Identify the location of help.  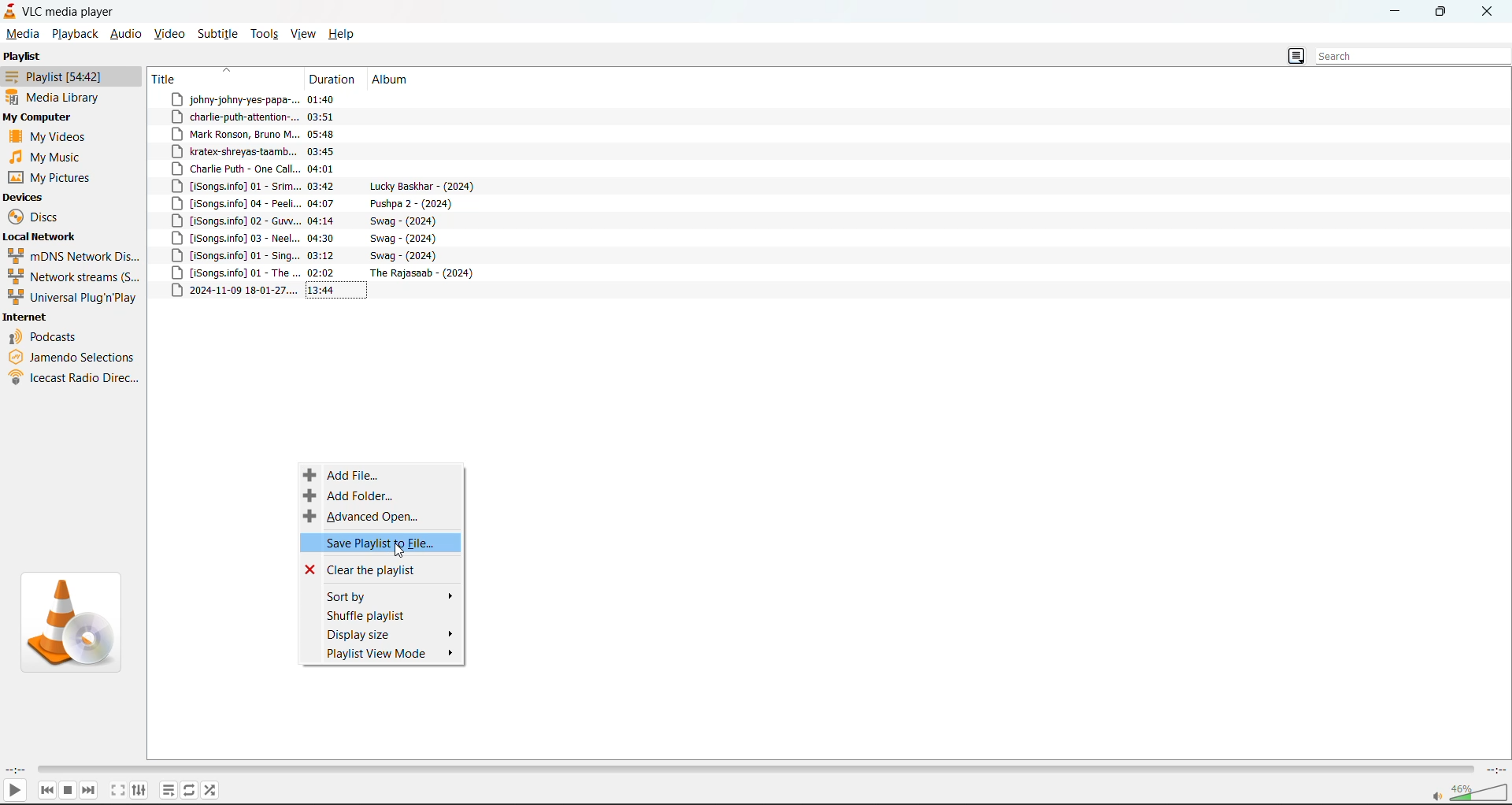
(347, 32).